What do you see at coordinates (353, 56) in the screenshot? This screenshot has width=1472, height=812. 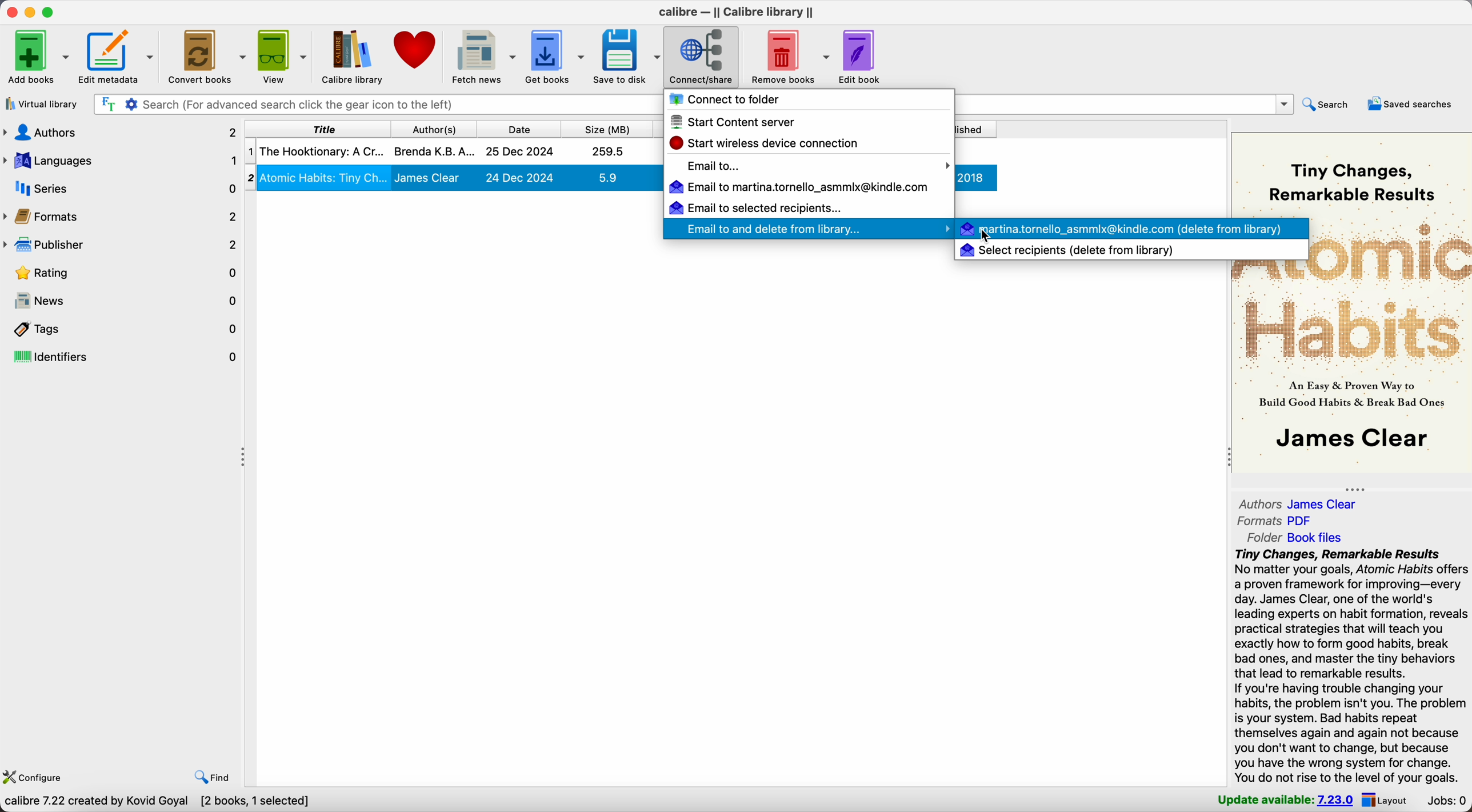 I see `Calibre library` at bounding box center [353, 56].